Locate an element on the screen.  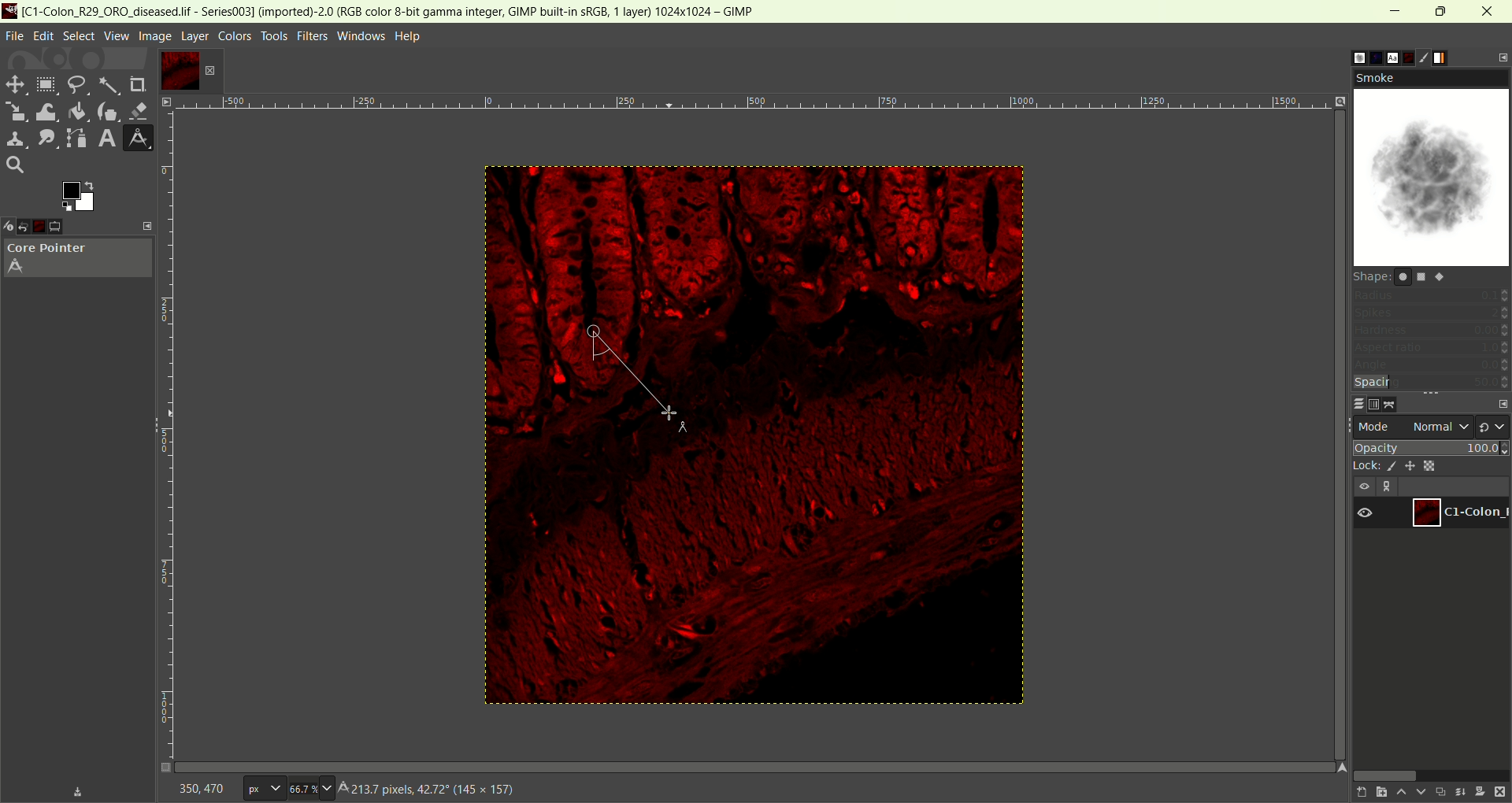
measure tool is located at coordinates (138, 138).